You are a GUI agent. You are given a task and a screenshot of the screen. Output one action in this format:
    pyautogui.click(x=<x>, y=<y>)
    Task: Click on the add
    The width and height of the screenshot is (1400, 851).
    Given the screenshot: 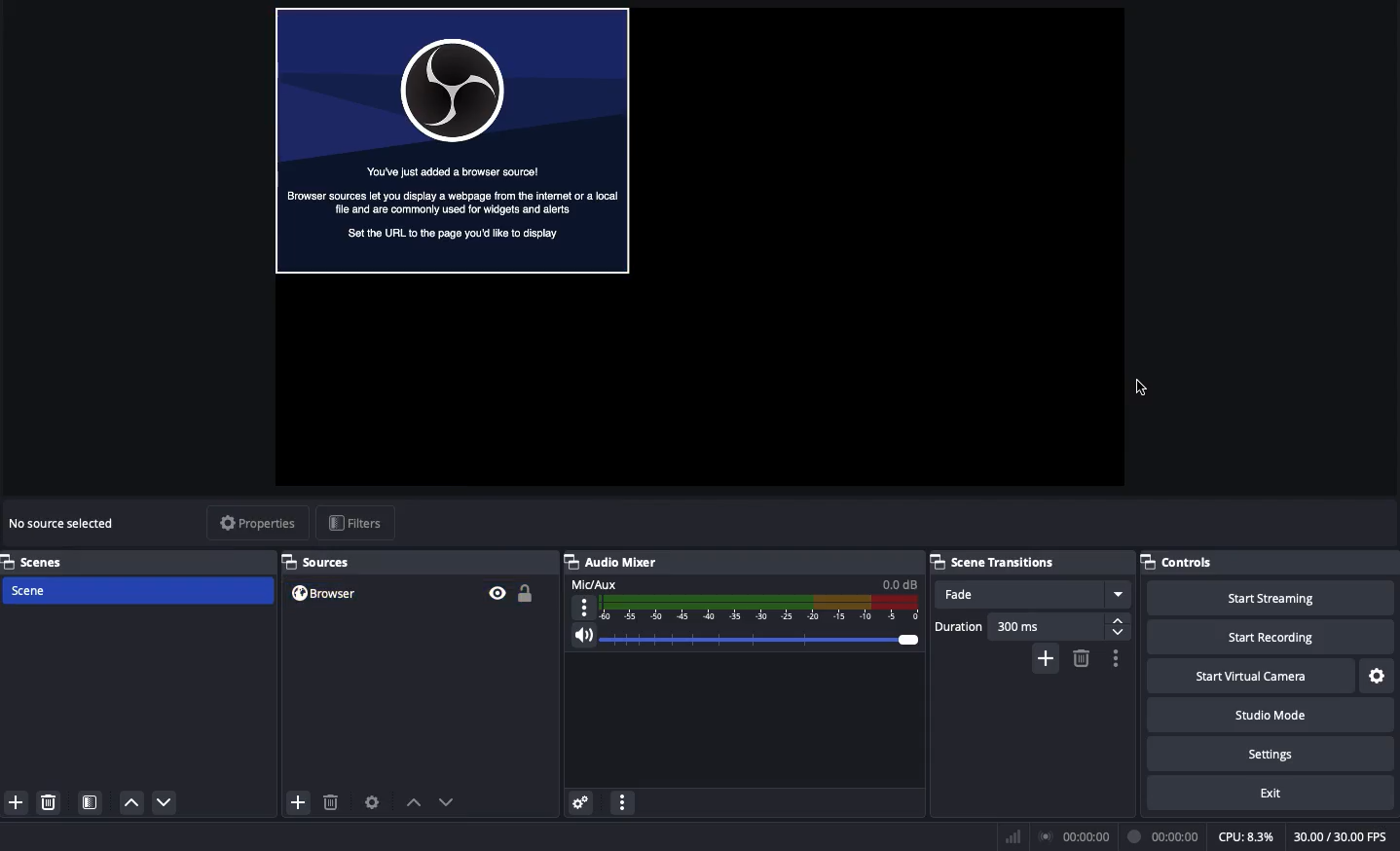 What is the action you would take?
    pyautogui.click(x=16, y=800)
    